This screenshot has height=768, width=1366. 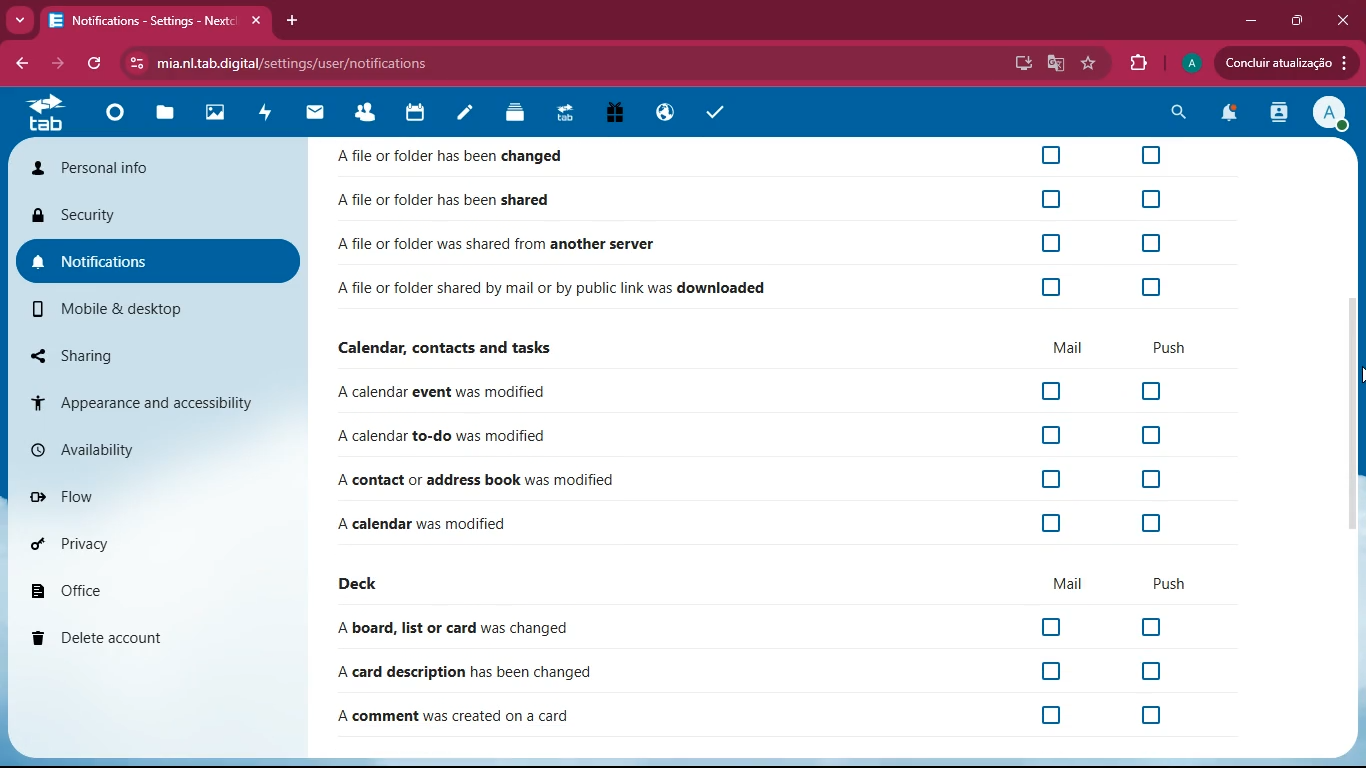 I want to click on off, so click(x=1051, y=242).